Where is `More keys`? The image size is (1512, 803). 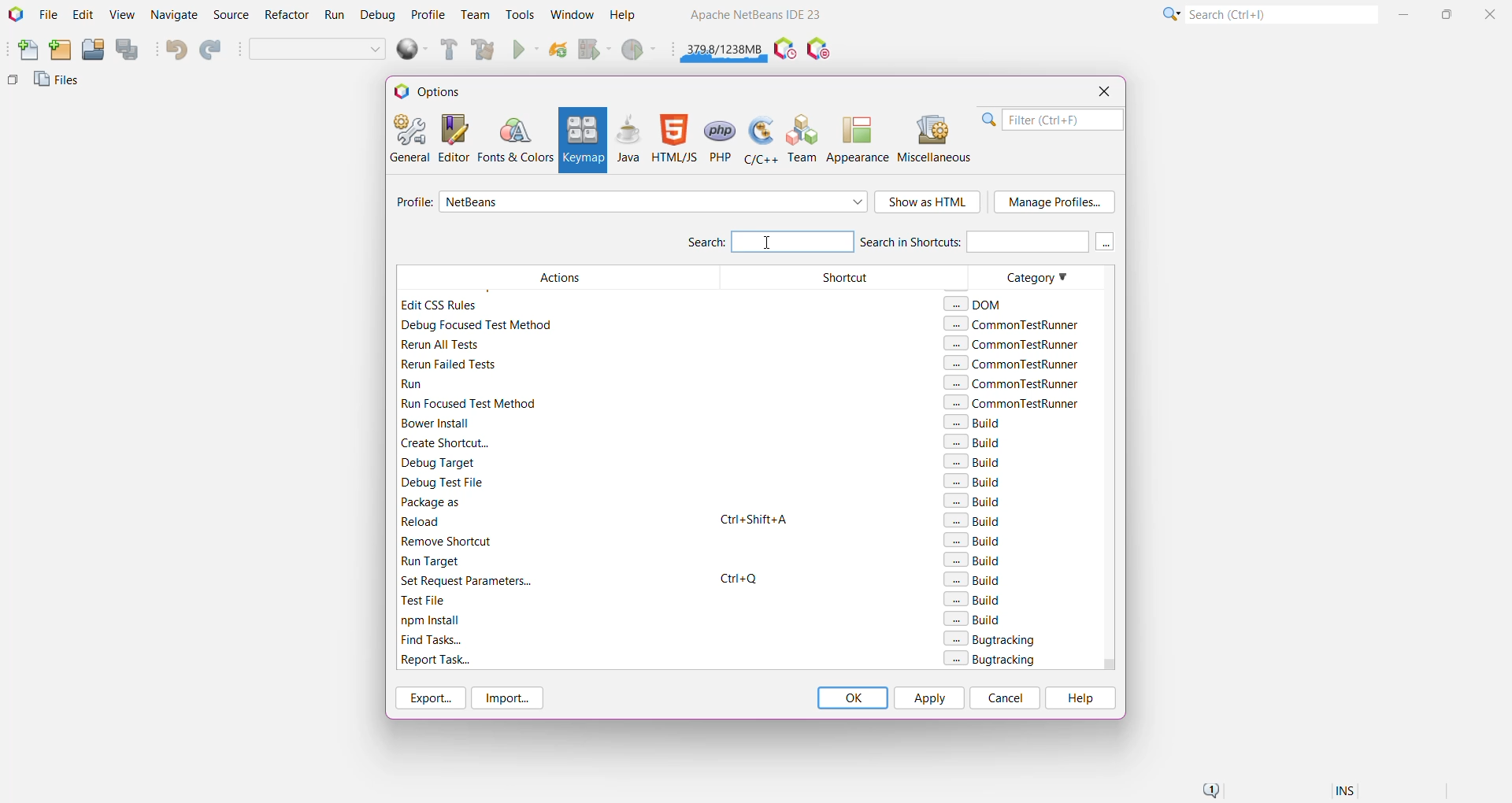 More keys is located at coordinates (1106, 242).